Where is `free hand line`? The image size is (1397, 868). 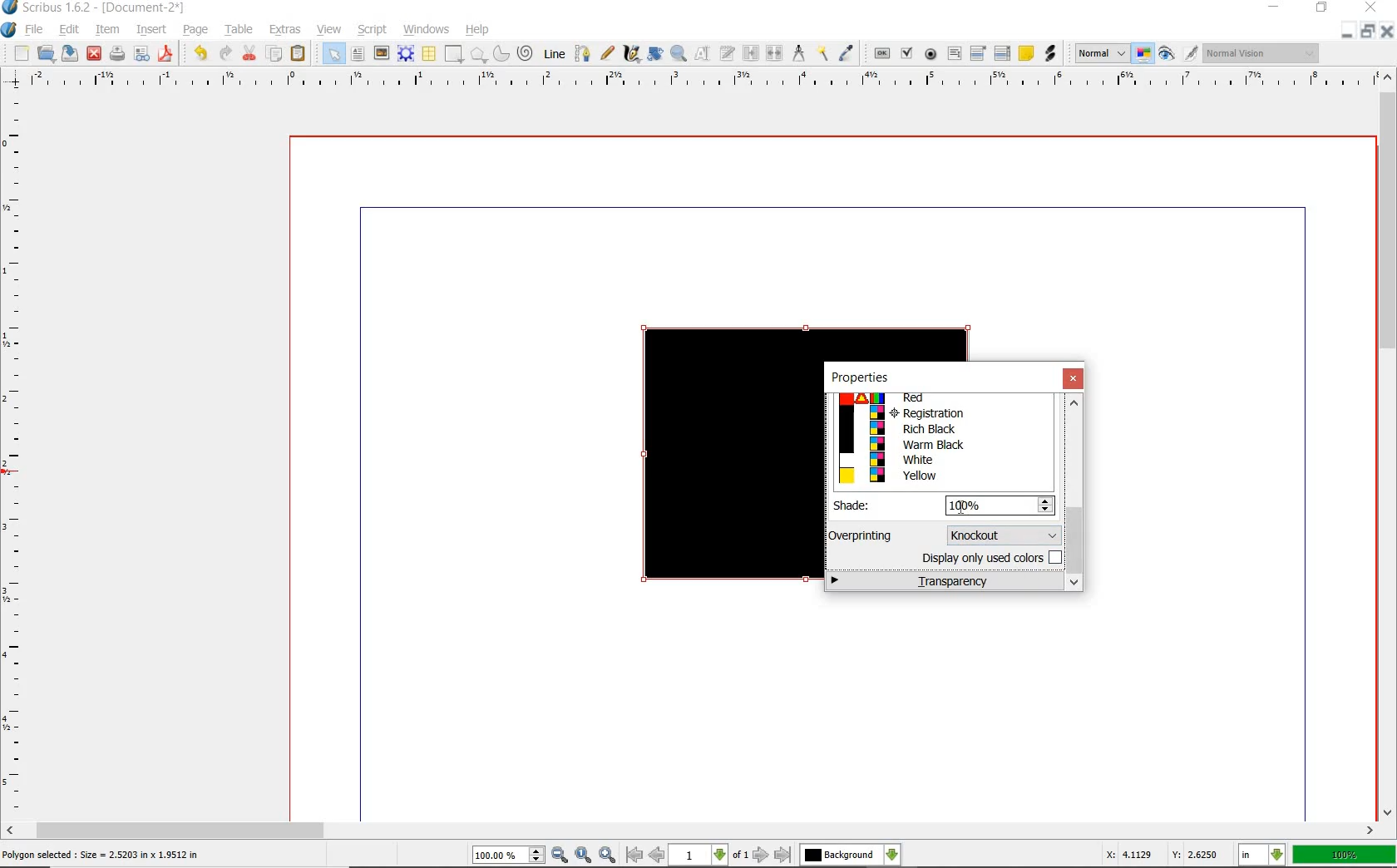 free hand line is located at coordinates (607, 52).